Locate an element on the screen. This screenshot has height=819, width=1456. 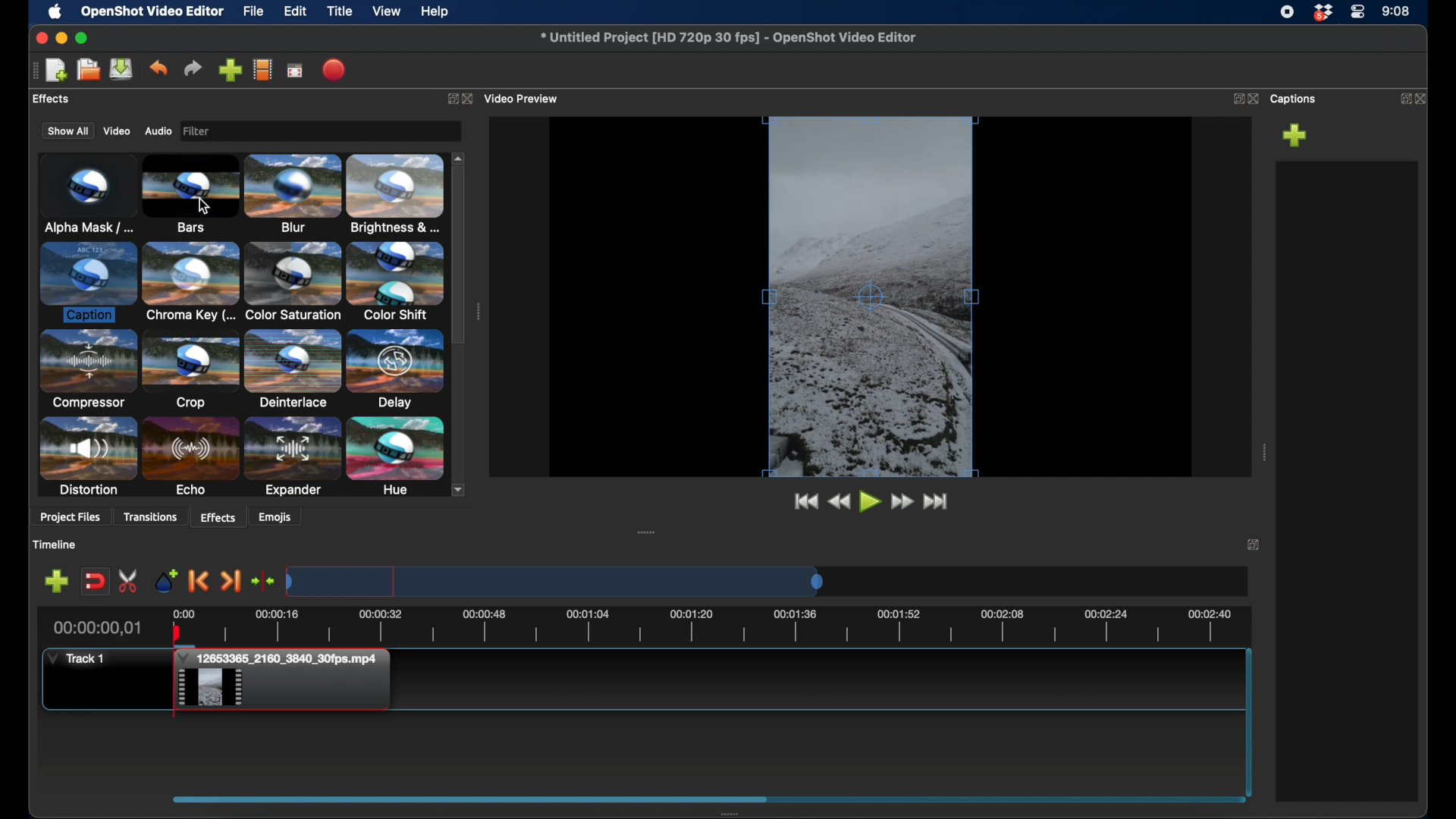
file is located at coordinates (254, 12).